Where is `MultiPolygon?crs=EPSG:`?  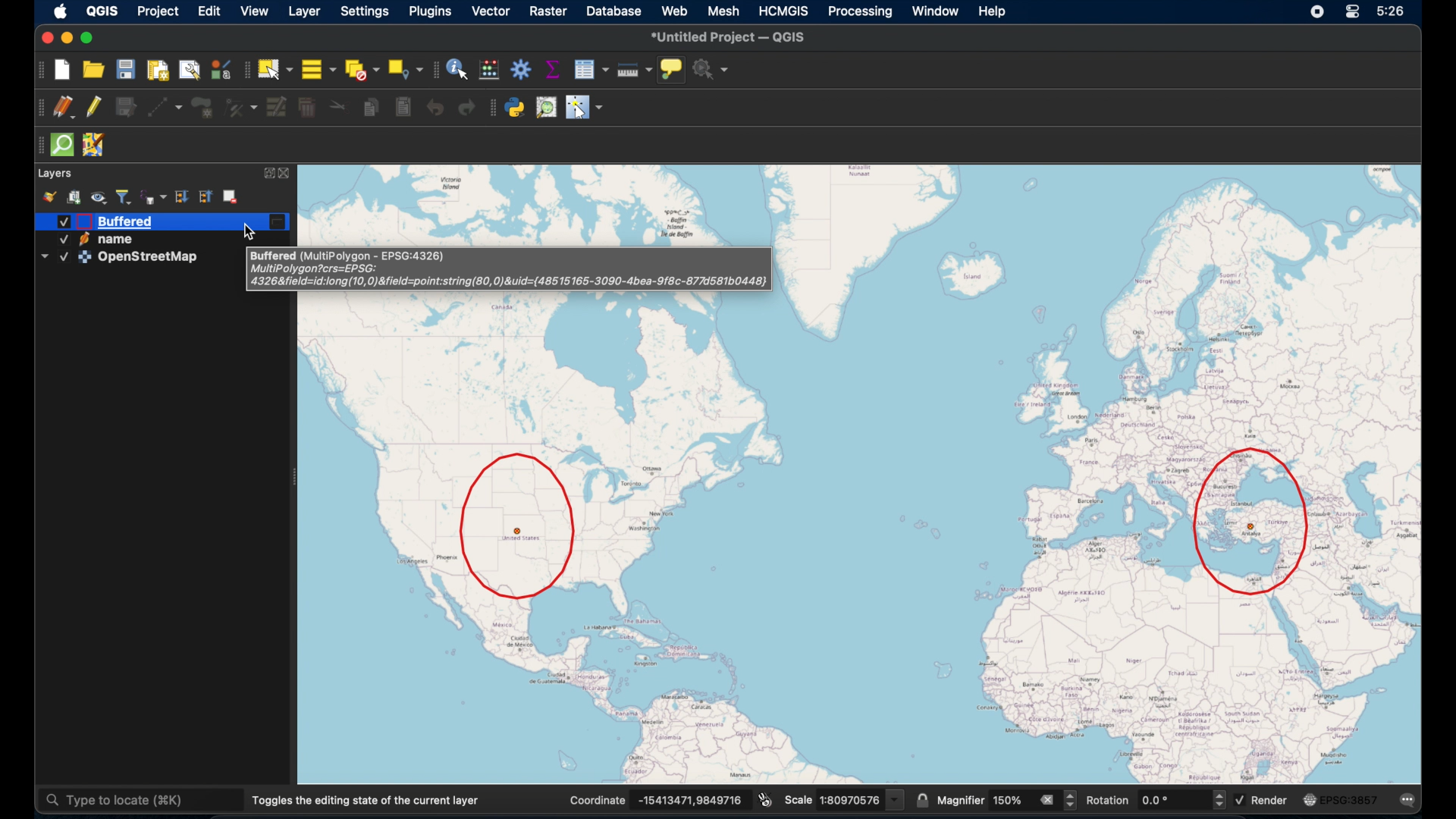
MultiPolygon?crs=EPSG: is located at coordinates (316, 269).